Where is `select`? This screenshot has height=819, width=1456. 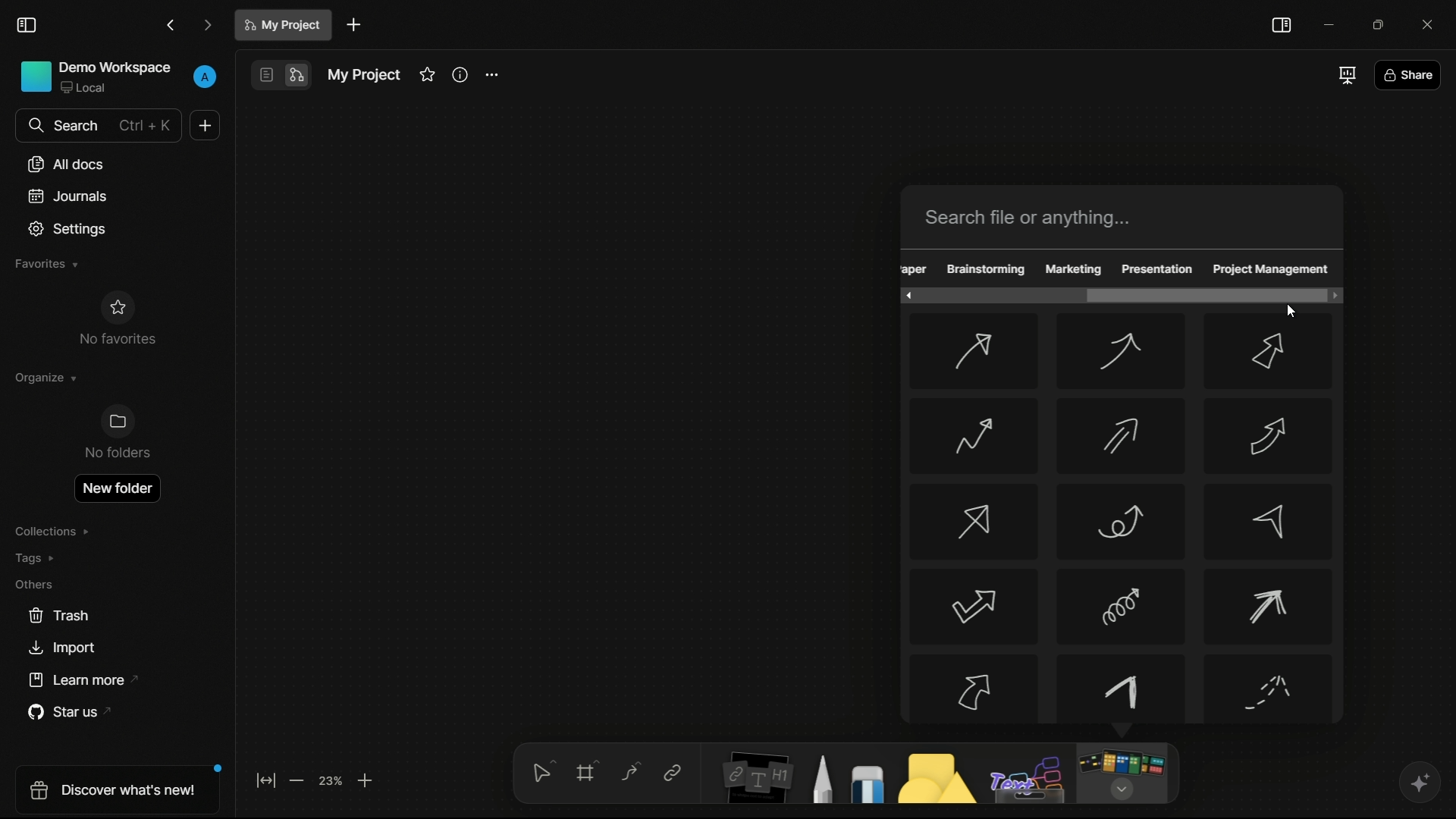
select is located at coordinates (541, 770).